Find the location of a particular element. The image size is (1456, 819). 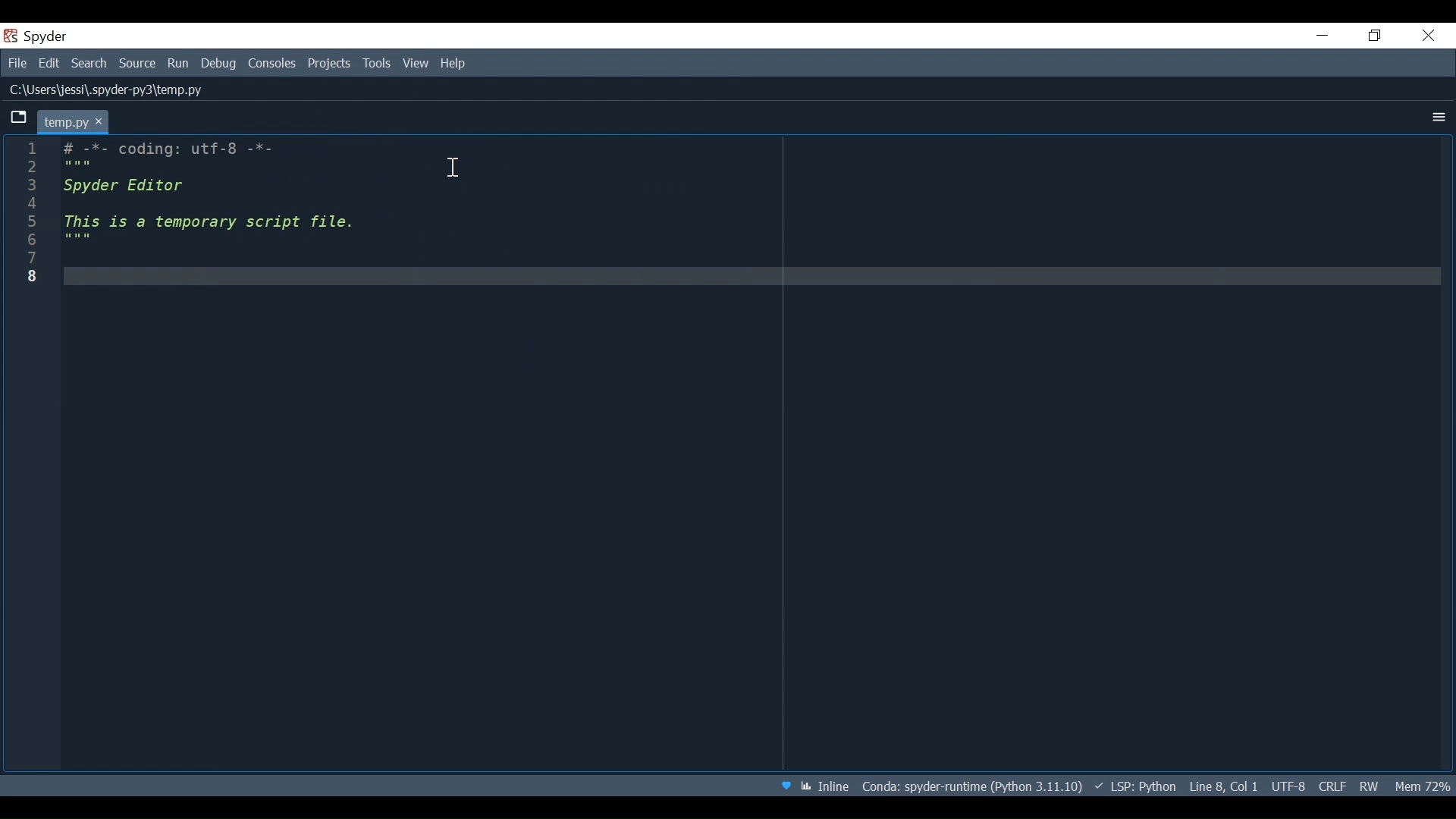

Tools is located at coordinates (377, 64).